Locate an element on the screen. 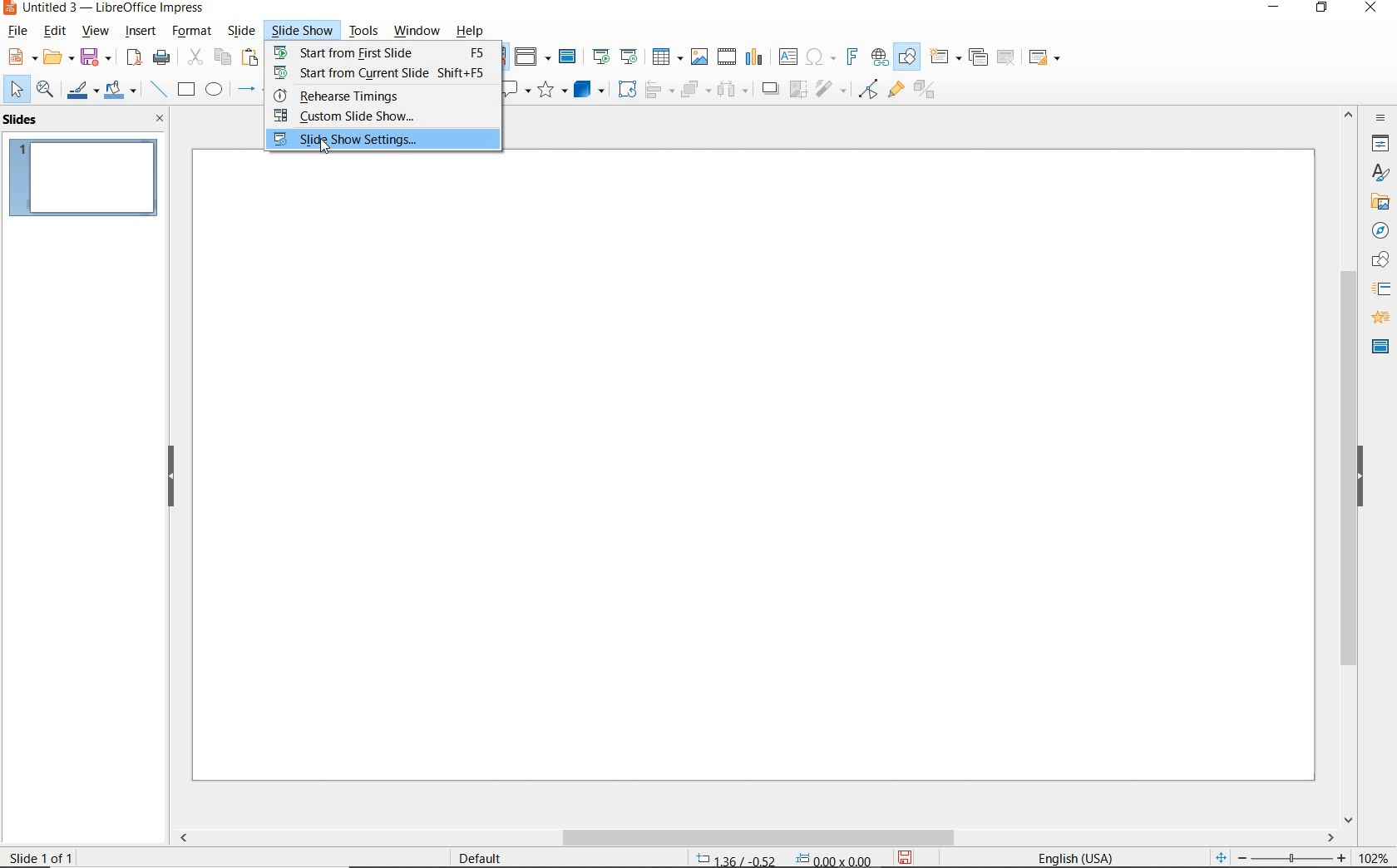  THREE OBJECTS TO DISTRIBUTE is located at coordinates (731, 91).